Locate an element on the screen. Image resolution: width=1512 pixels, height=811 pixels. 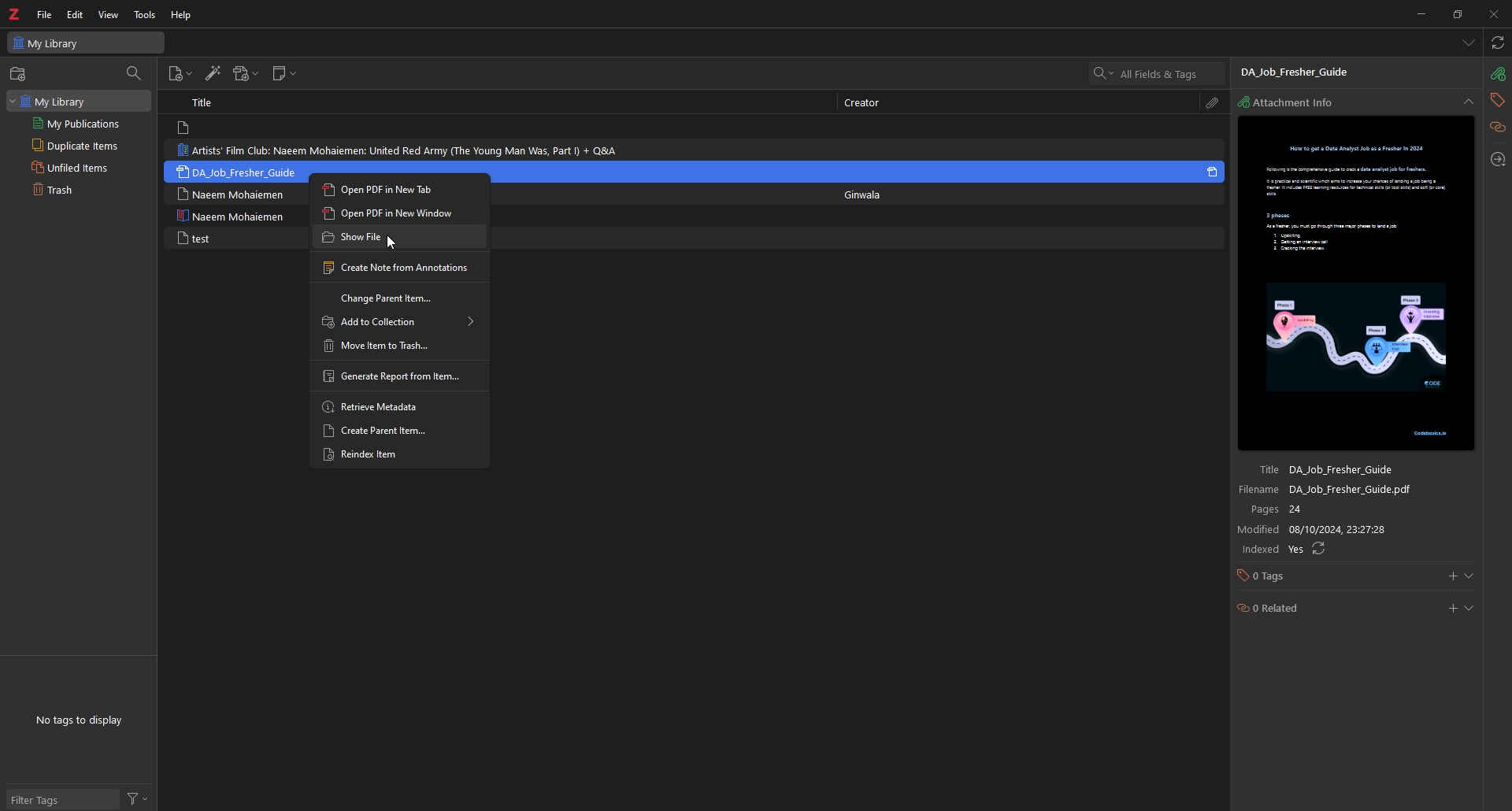
new collection is located at coordinates (18, 74).